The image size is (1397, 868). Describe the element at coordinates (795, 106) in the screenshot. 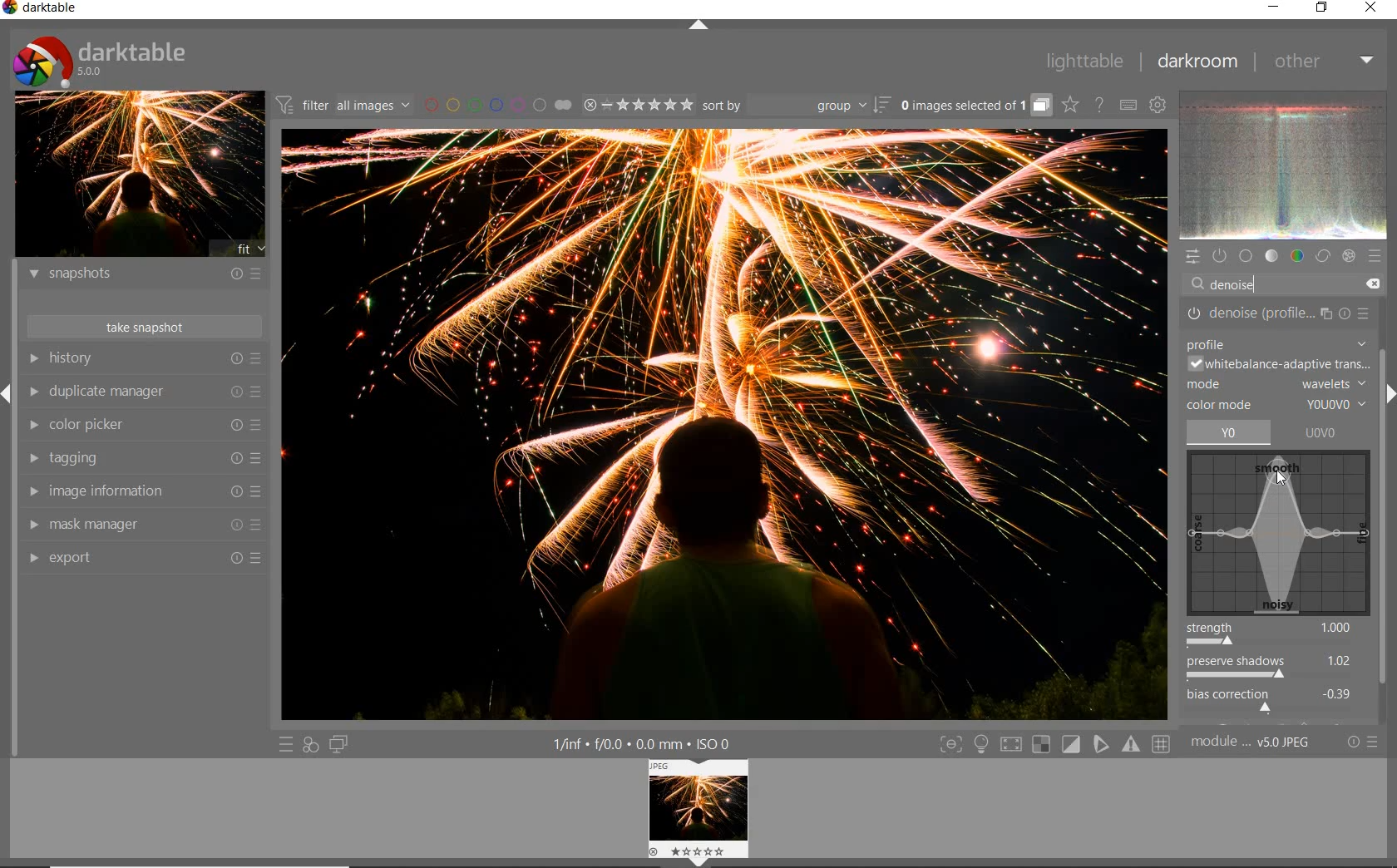

I see `sort` at that location.